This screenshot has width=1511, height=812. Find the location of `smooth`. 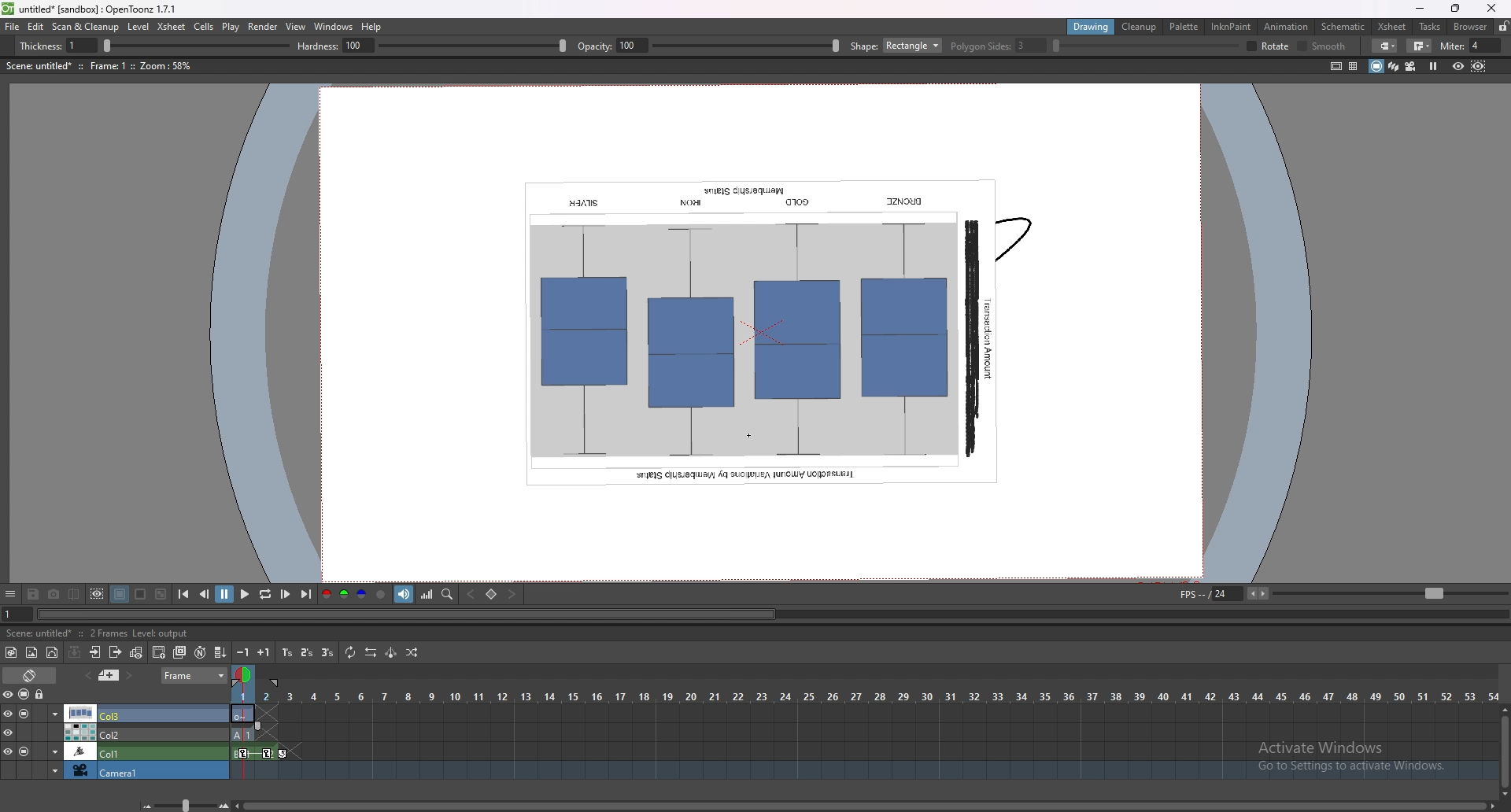

smooth is located at coordinates (1217, 47).